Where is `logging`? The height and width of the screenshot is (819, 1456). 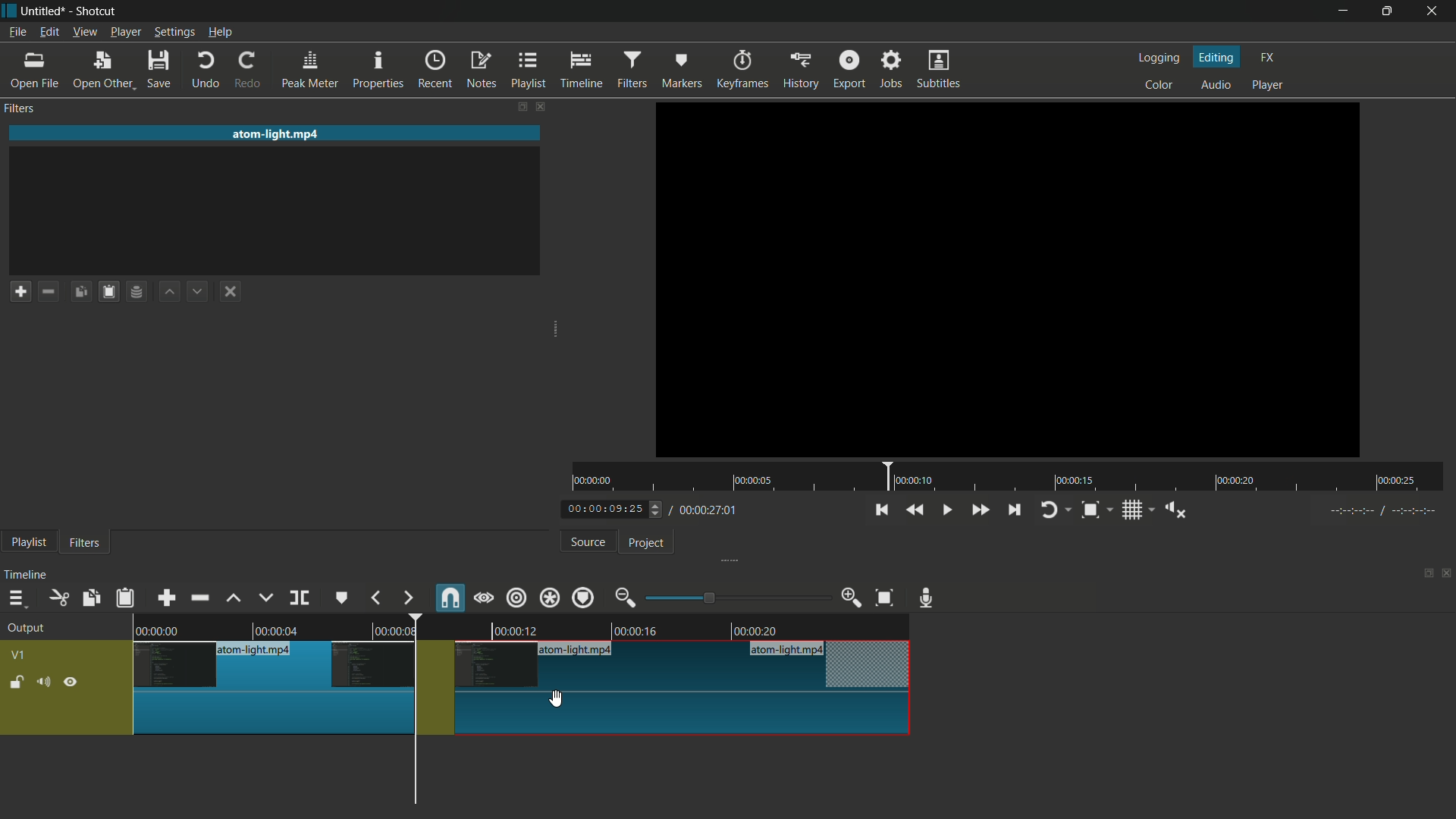 logging is located at coordinates (1162, 58).